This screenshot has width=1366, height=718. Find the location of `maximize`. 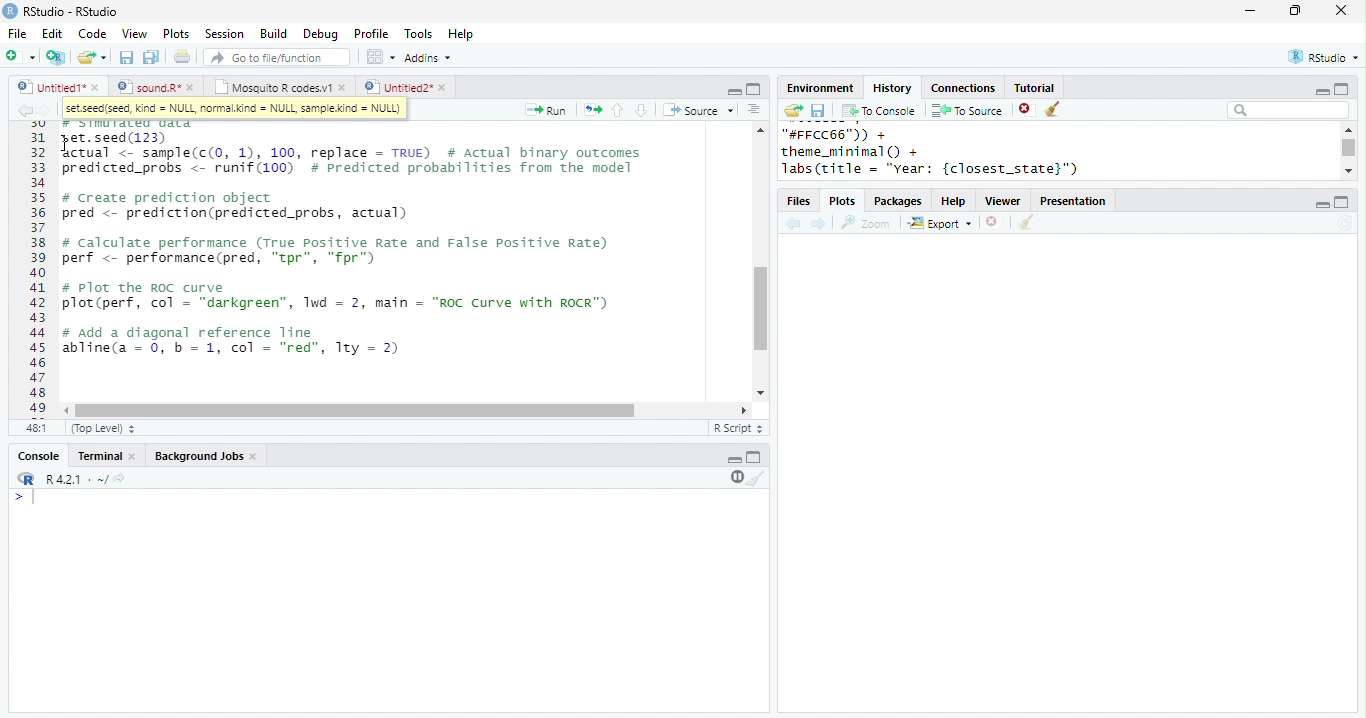

maximize is located at coordinates (754, 456).